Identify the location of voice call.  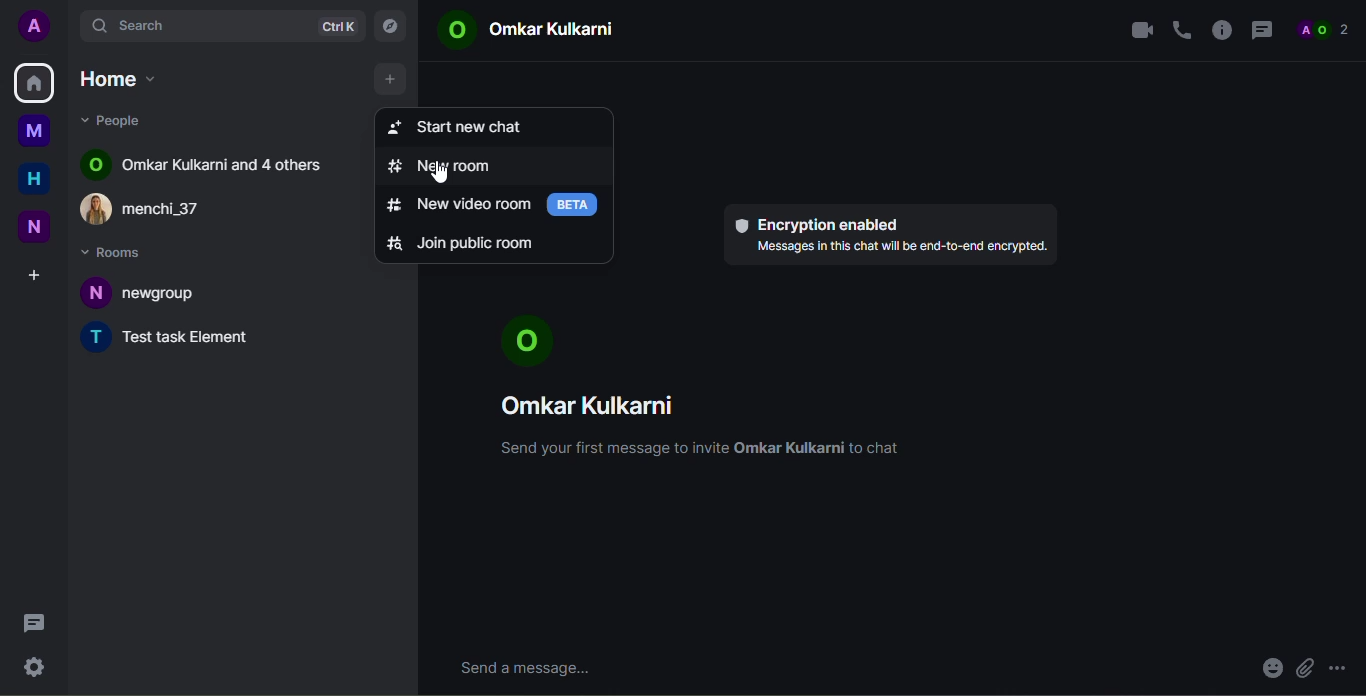
(1181, 30).